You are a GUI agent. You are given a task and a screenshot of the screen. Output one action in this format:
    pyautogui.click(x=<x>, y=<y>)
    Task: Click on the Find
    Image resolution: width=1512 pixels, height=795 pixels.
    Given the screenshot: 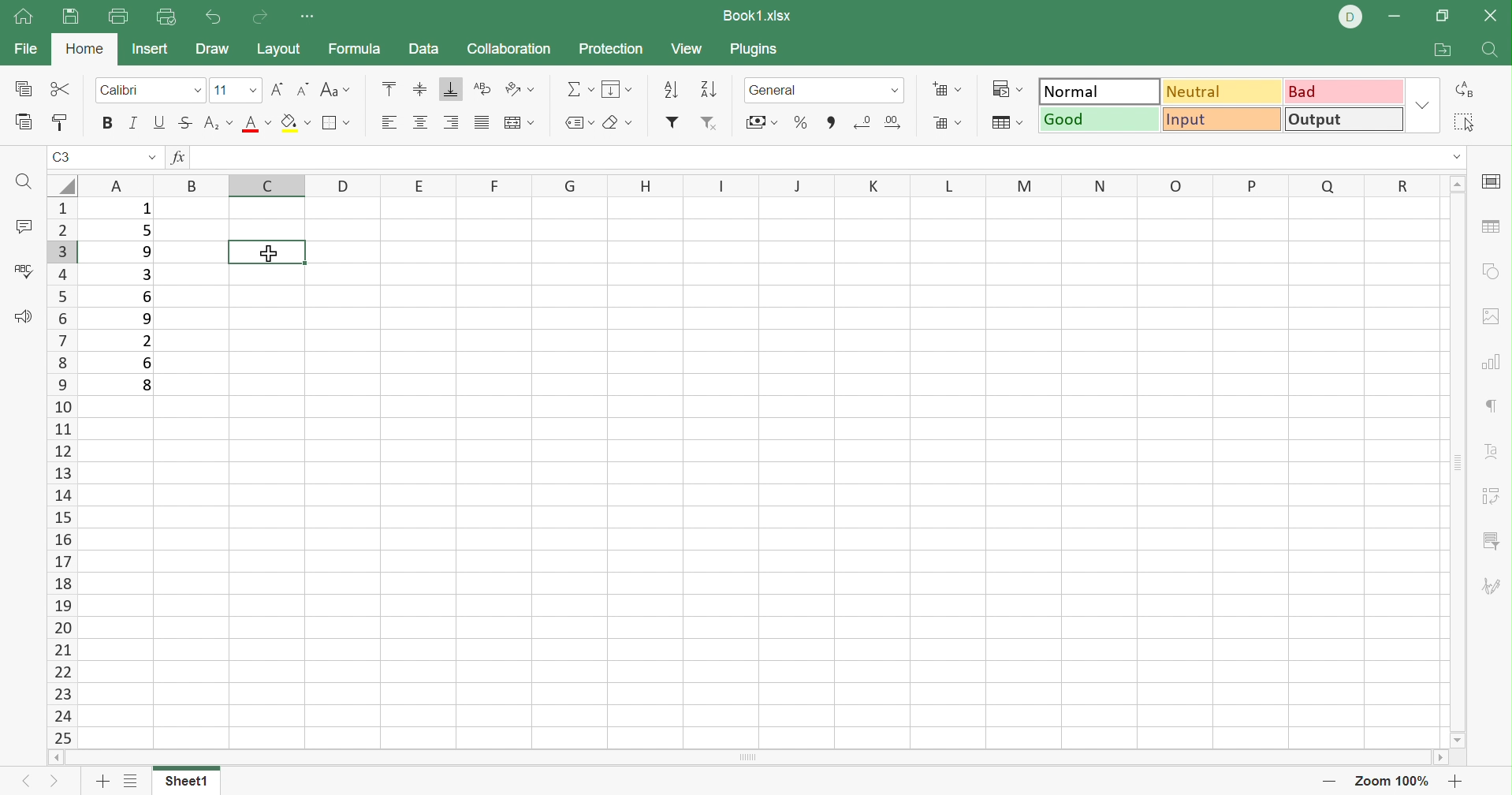 What is the action you would take?
    pyautogui.click(x=27, y=184)
    